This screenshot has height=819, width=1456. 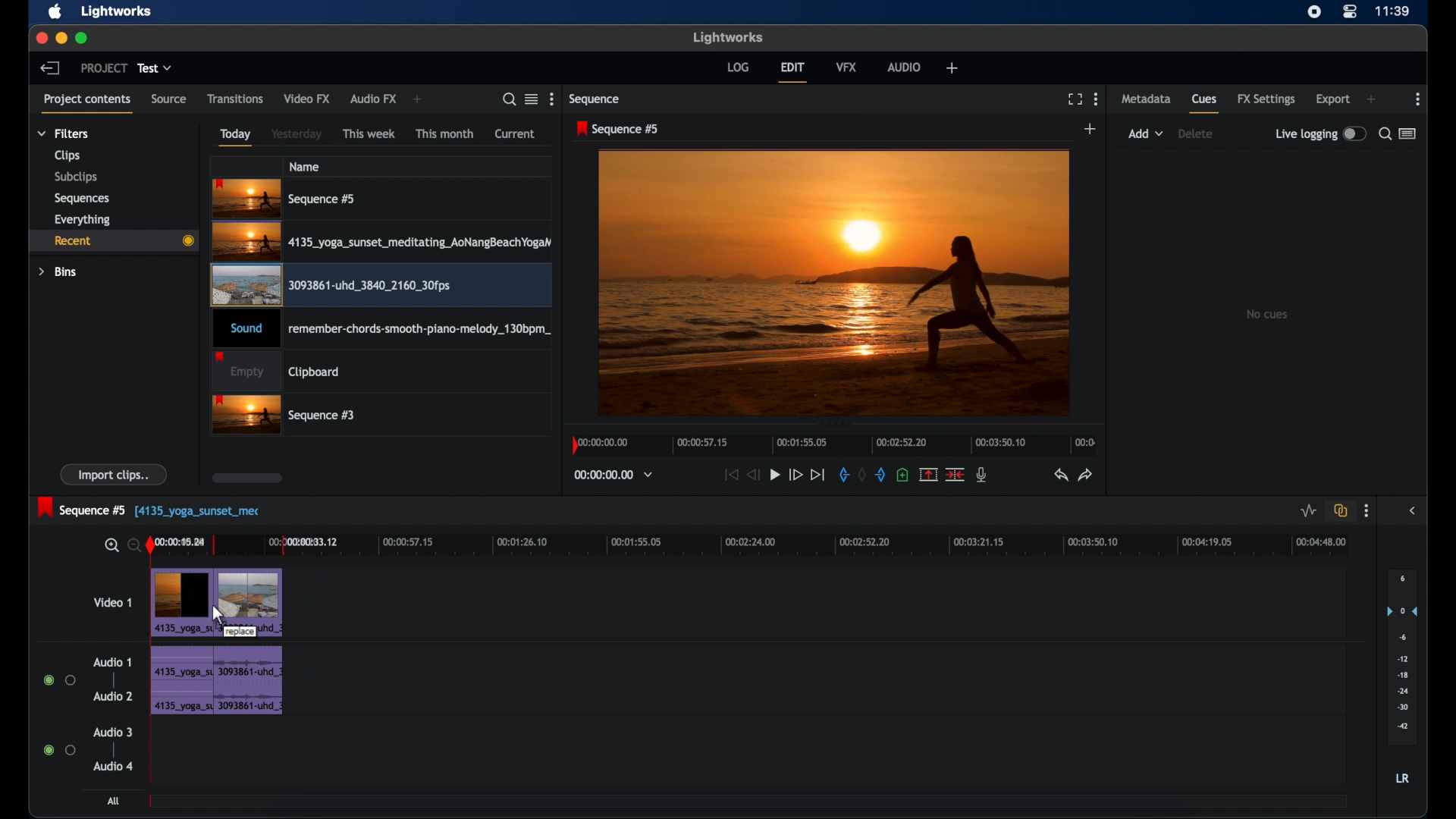 I want to click on play, so click(x=775, y=475).